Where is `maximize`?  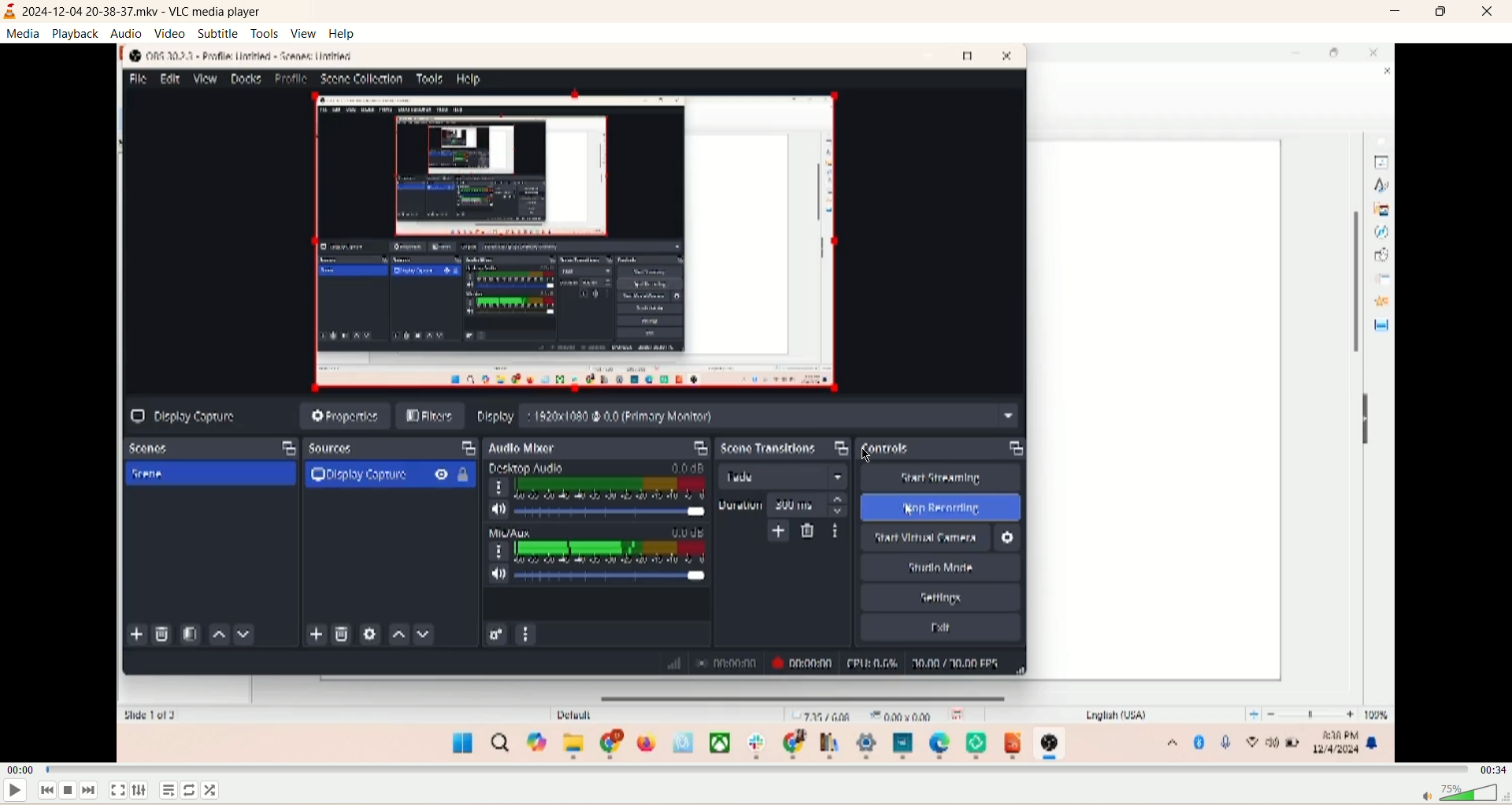
maximize is located at coordinates (1443, 12).